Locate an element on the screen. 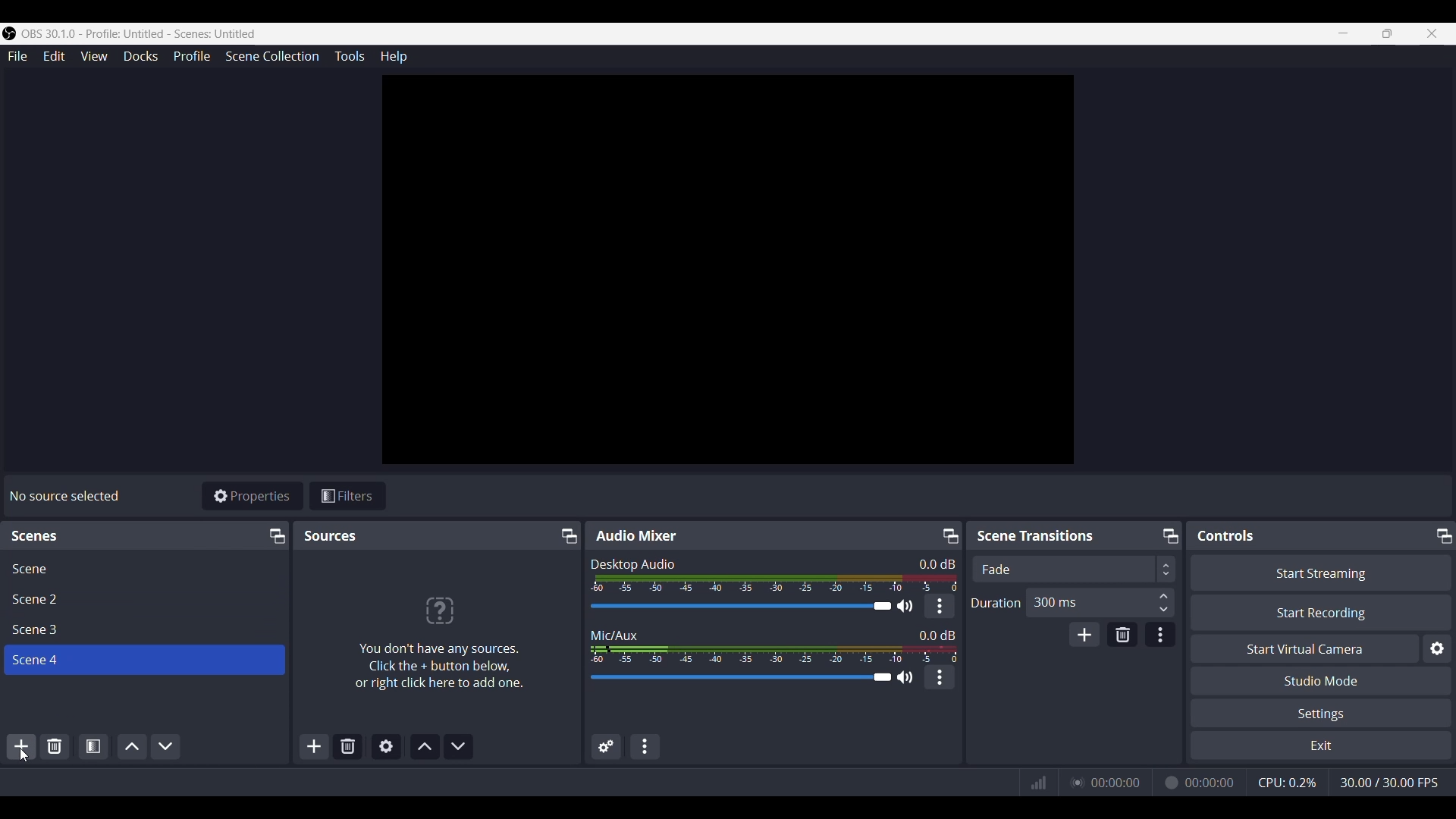 This screenshot has height=819, width=1456. Minimize is located at coordinates (570, 535).